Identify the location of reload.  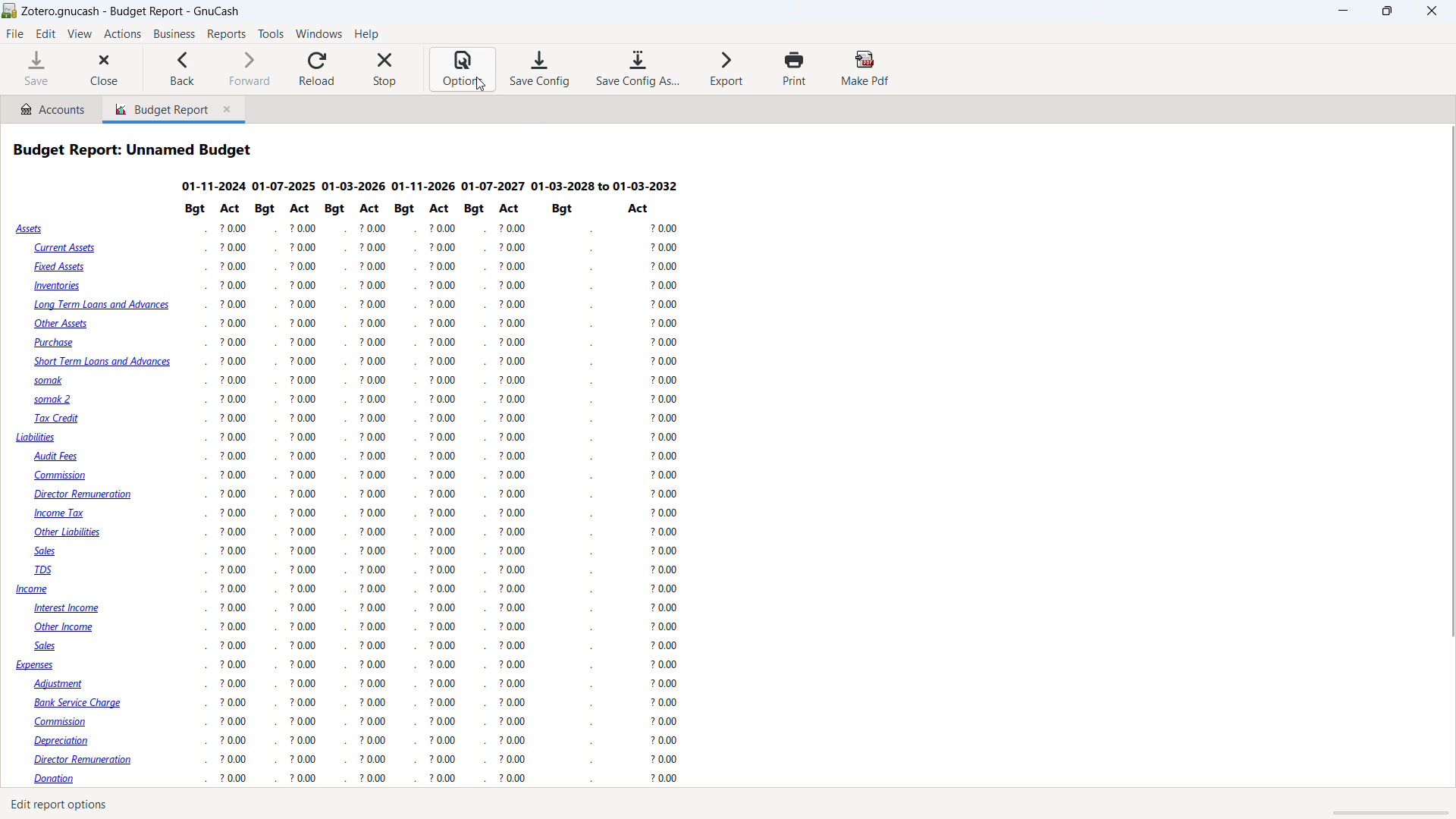
(318, 69).